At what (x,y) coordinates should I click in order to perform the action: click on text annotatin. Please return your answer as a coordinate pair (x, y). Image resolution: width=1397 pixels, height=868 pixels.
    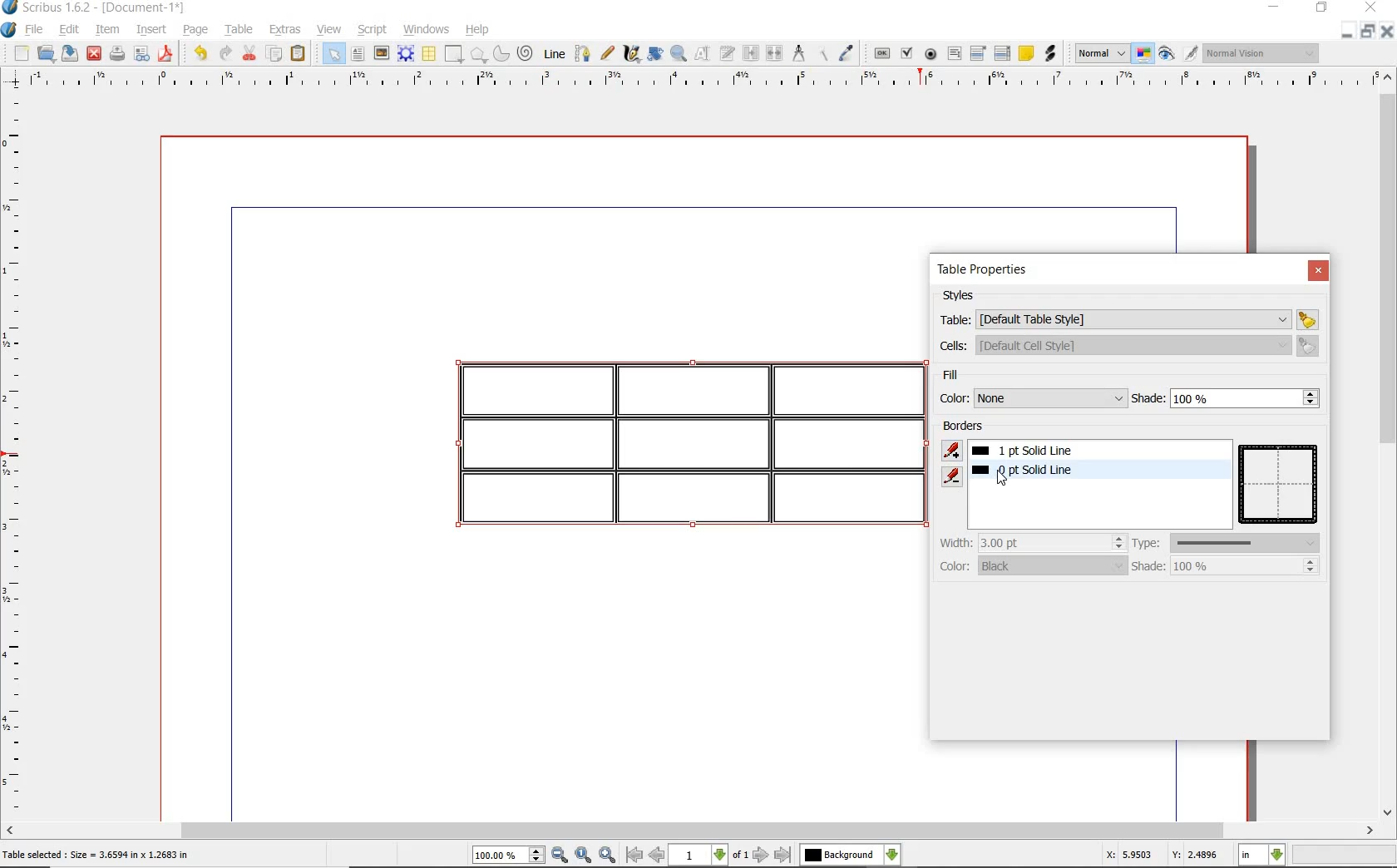
    Looking at the image, I should click on (1026, 52).